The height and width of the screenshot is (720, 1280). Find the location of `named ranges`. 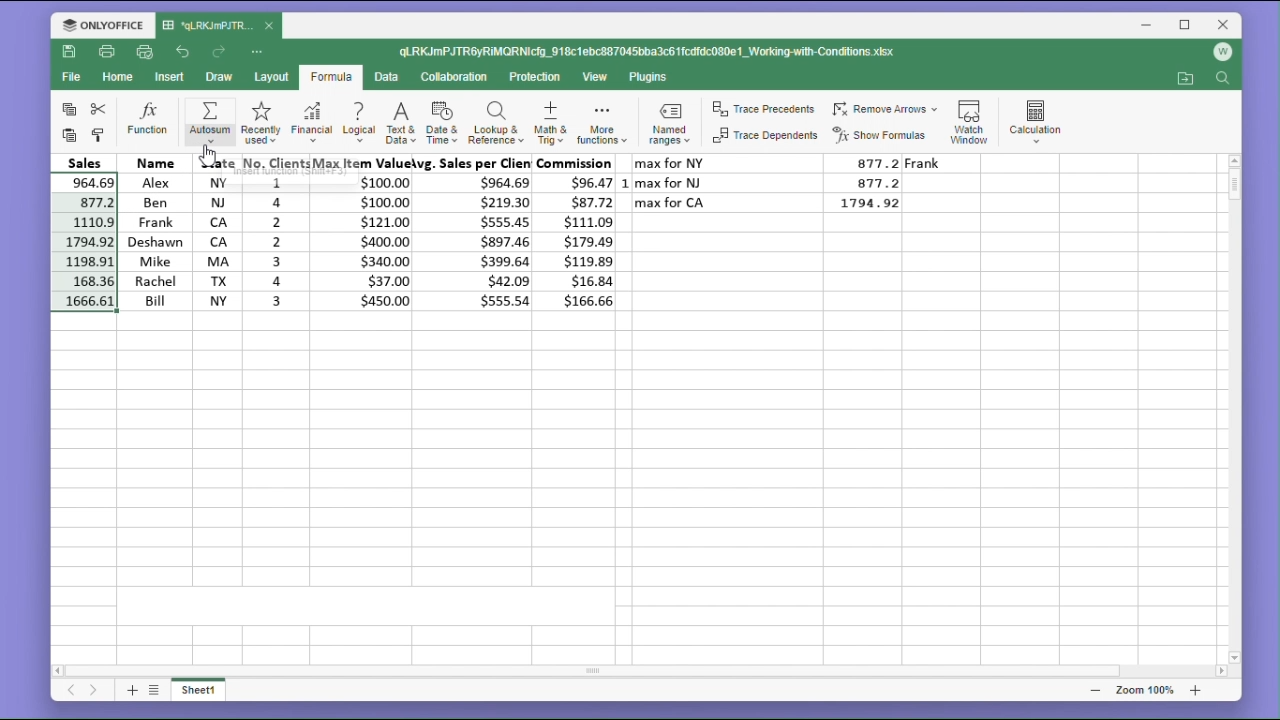

named ranges is located at coordinates (667, 126).